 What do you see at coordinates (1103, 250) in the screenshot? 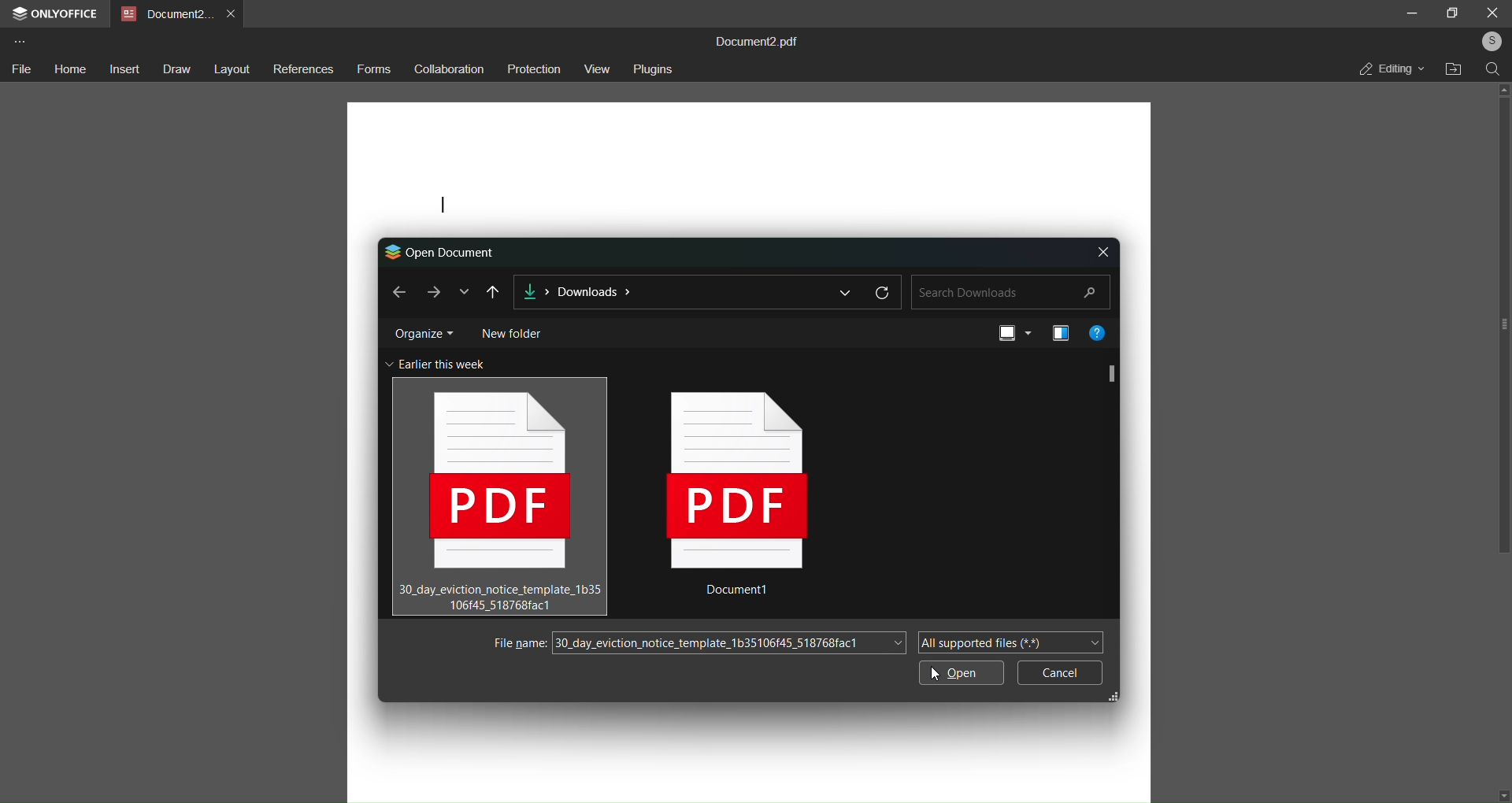
I see `close dialog` at bounding box center [1103, 250].